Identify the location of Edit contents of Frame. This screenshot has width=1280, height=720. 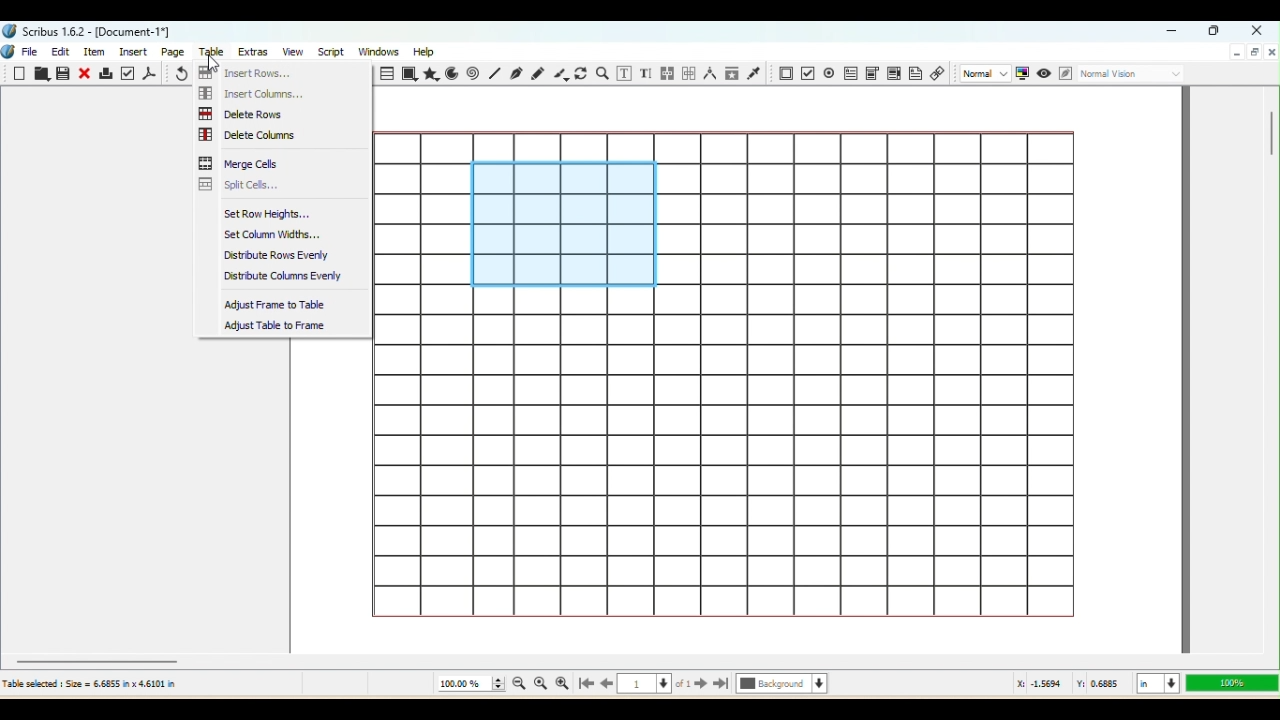
(626, 74).